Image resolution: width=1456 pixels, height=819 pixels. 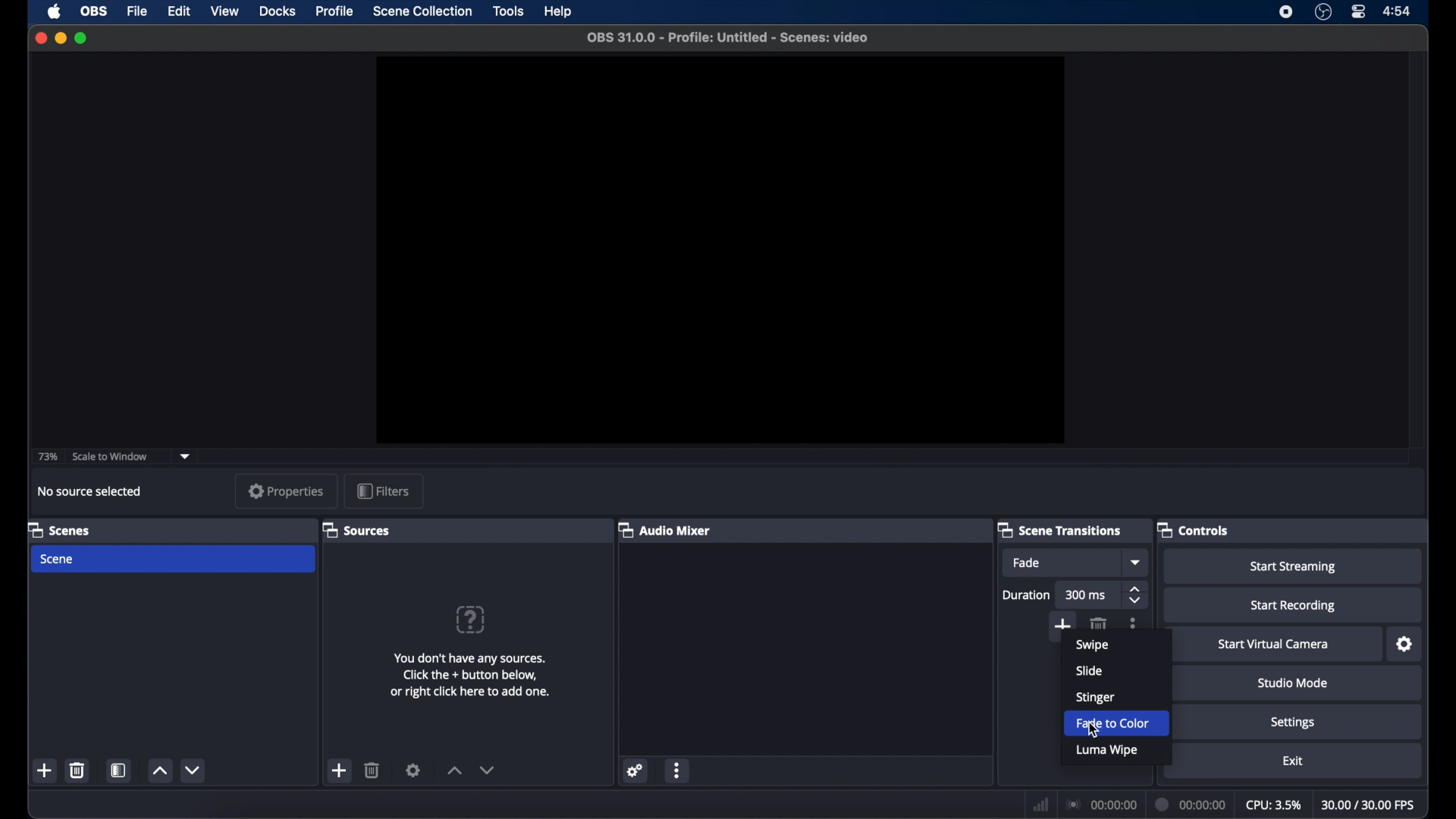 What do you see at coordinates (1086, 595) in the screenshot?
I see `300 ms` at bounding box center [1086, 595].